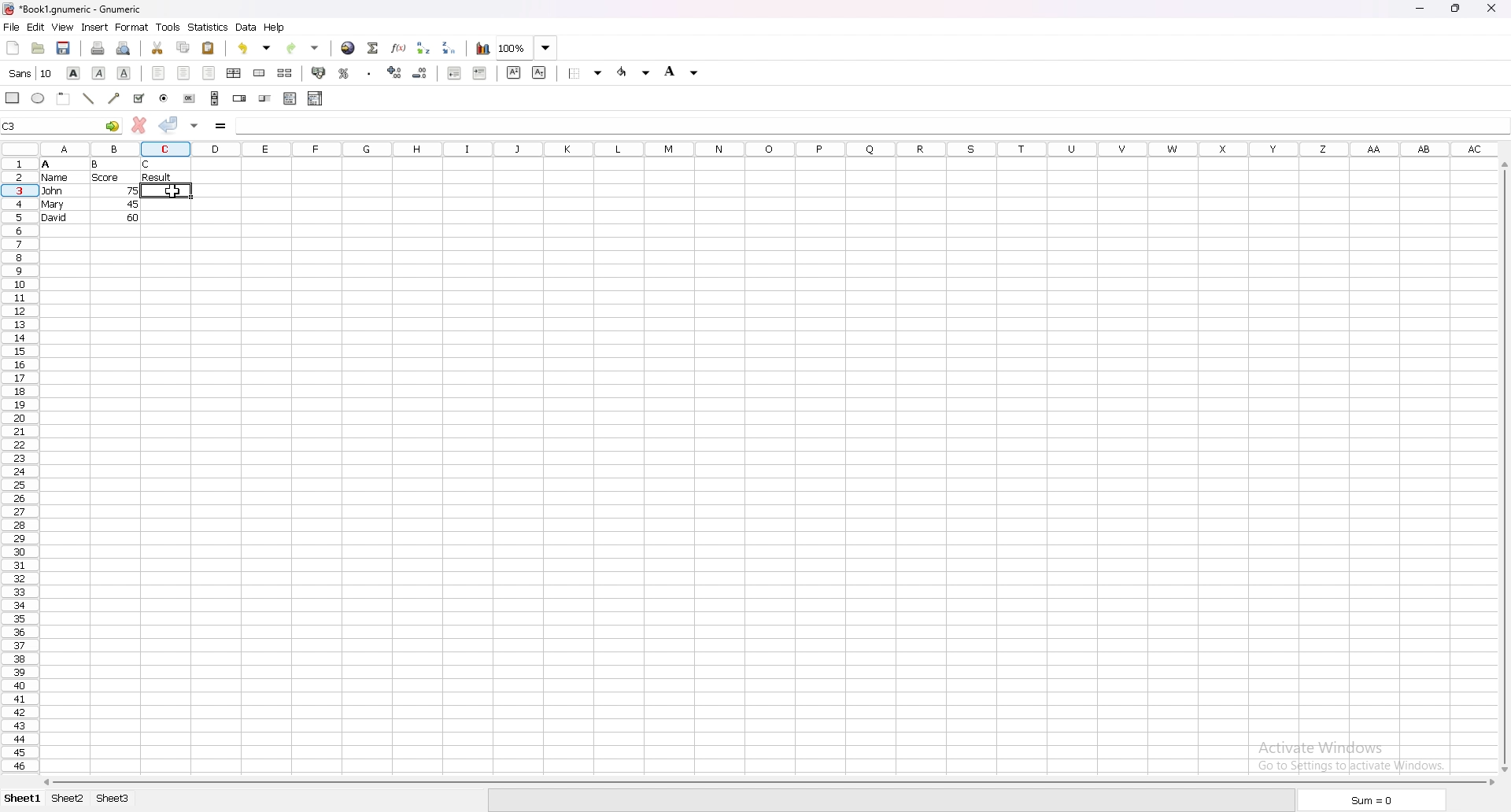  What do you see at coordinates (98, 49) in the screenshot?
I see `print` at bounding box center [98, 49].